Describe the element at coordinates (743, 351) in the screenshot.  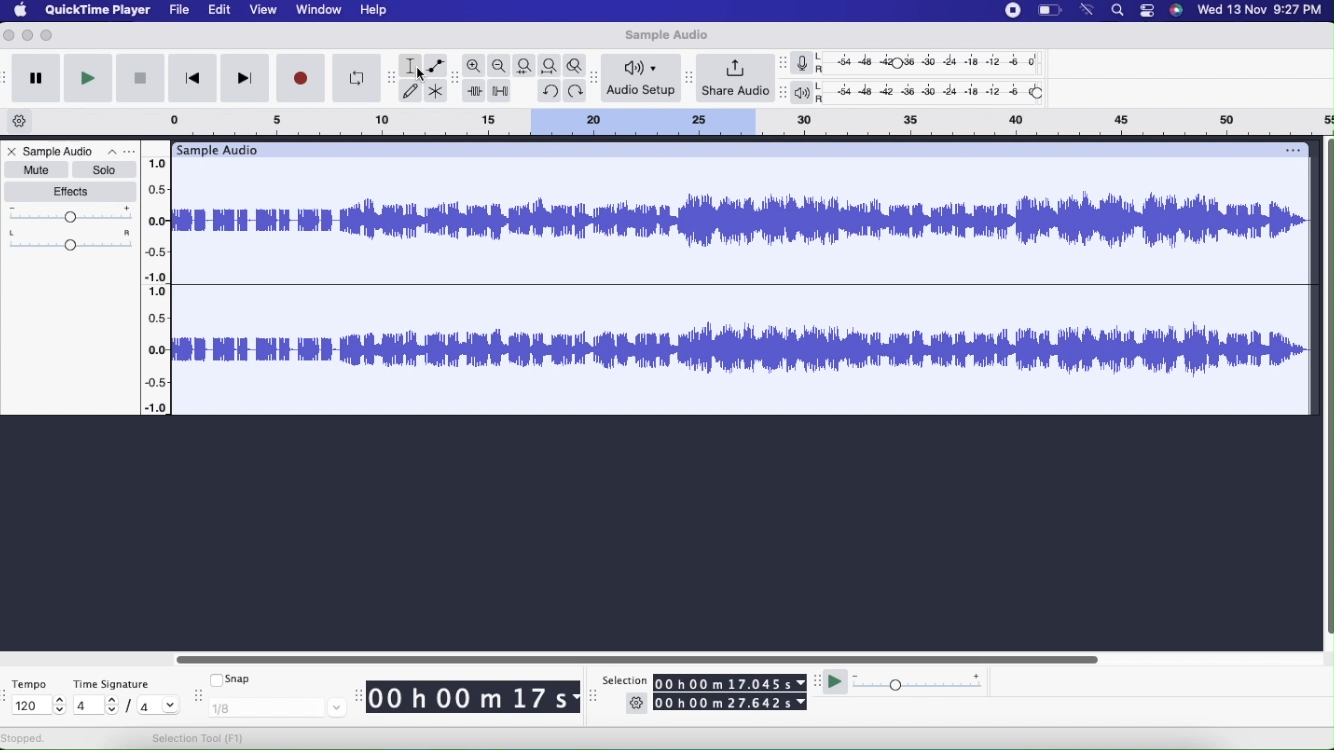
I see `audio track` at that location.